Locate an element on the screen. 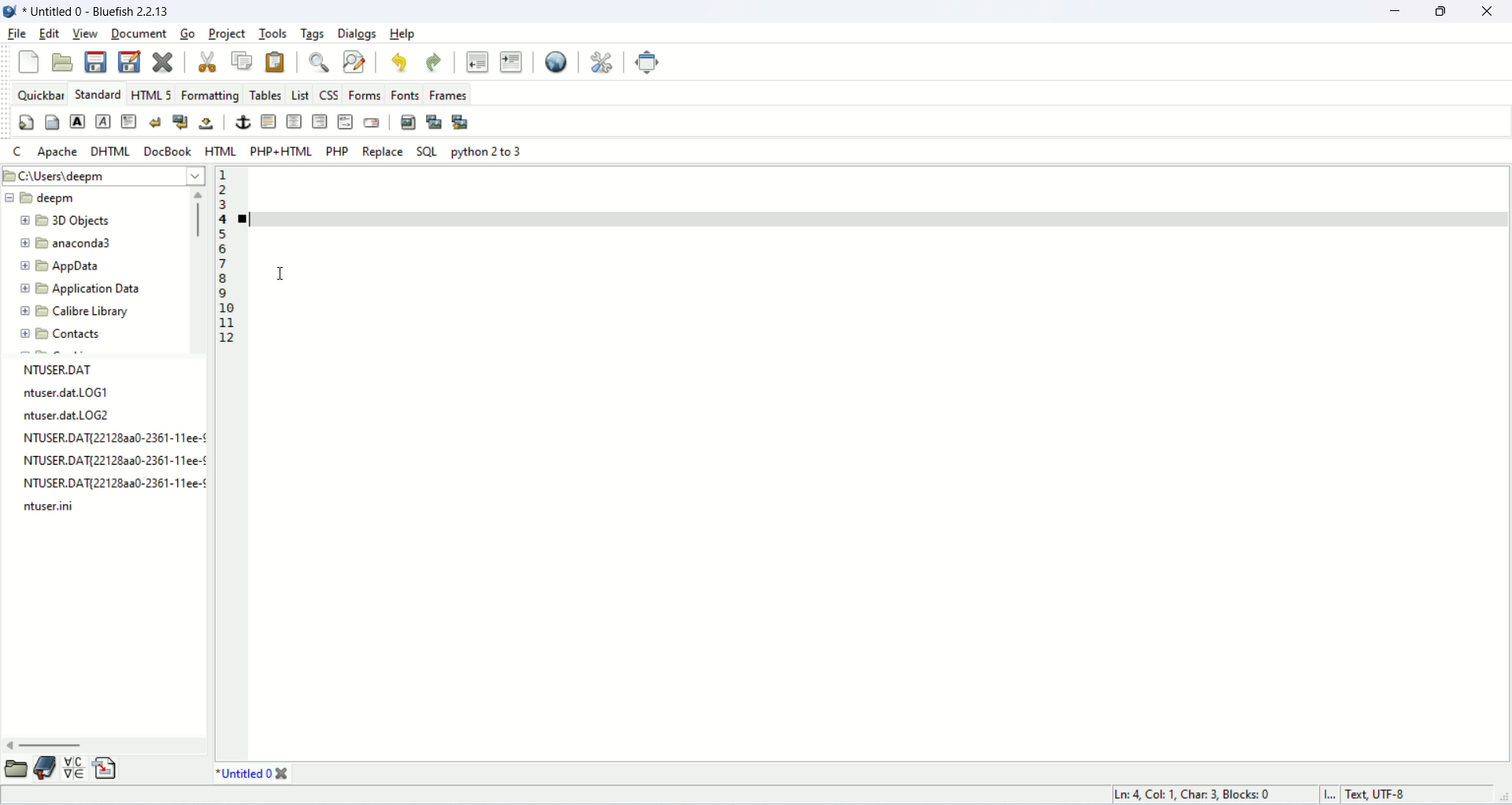  paragraph is located at coordinates (130, 122).